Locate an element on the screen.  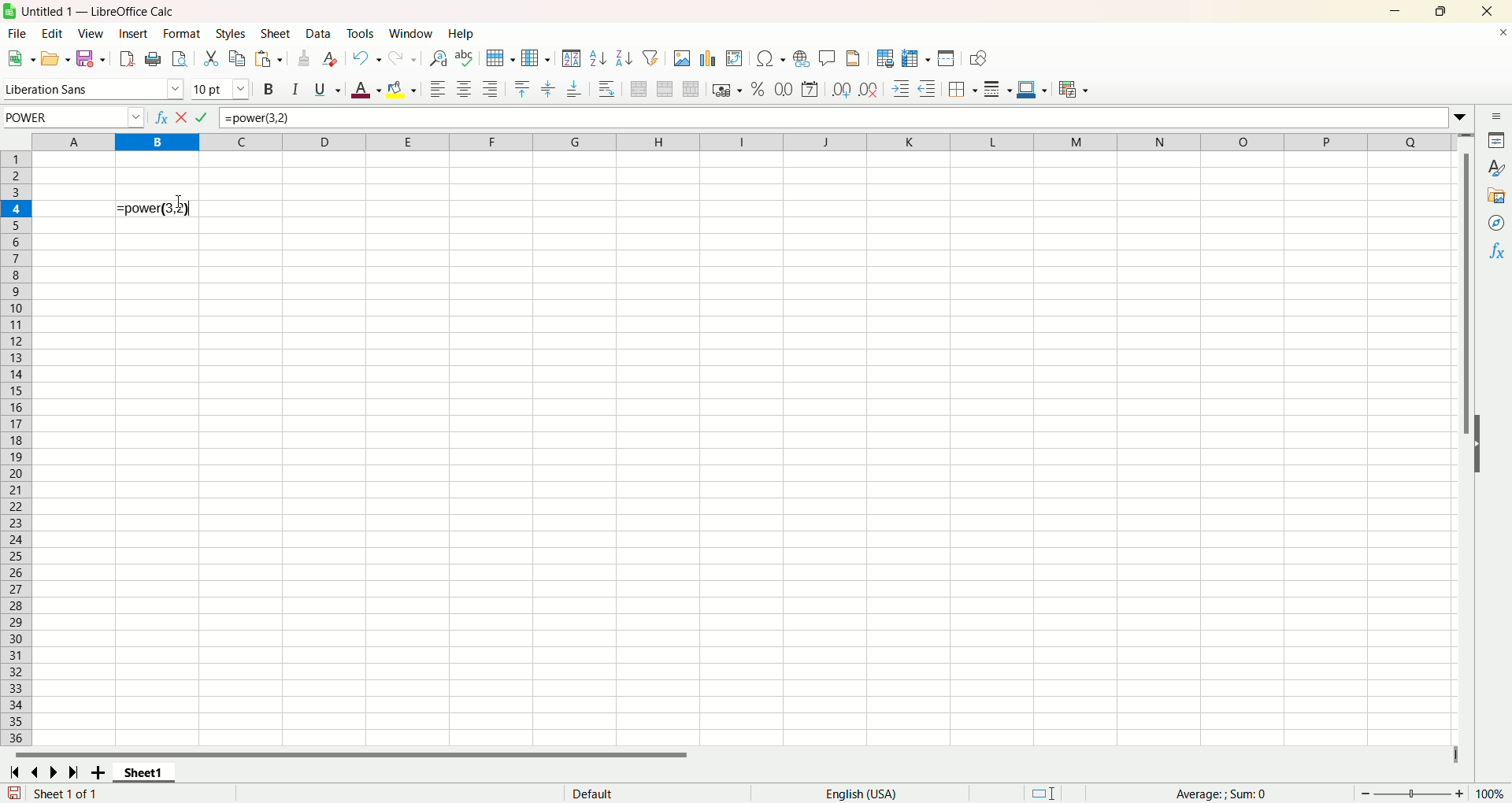
=power(3,2) is located at coordinates (830, 117).